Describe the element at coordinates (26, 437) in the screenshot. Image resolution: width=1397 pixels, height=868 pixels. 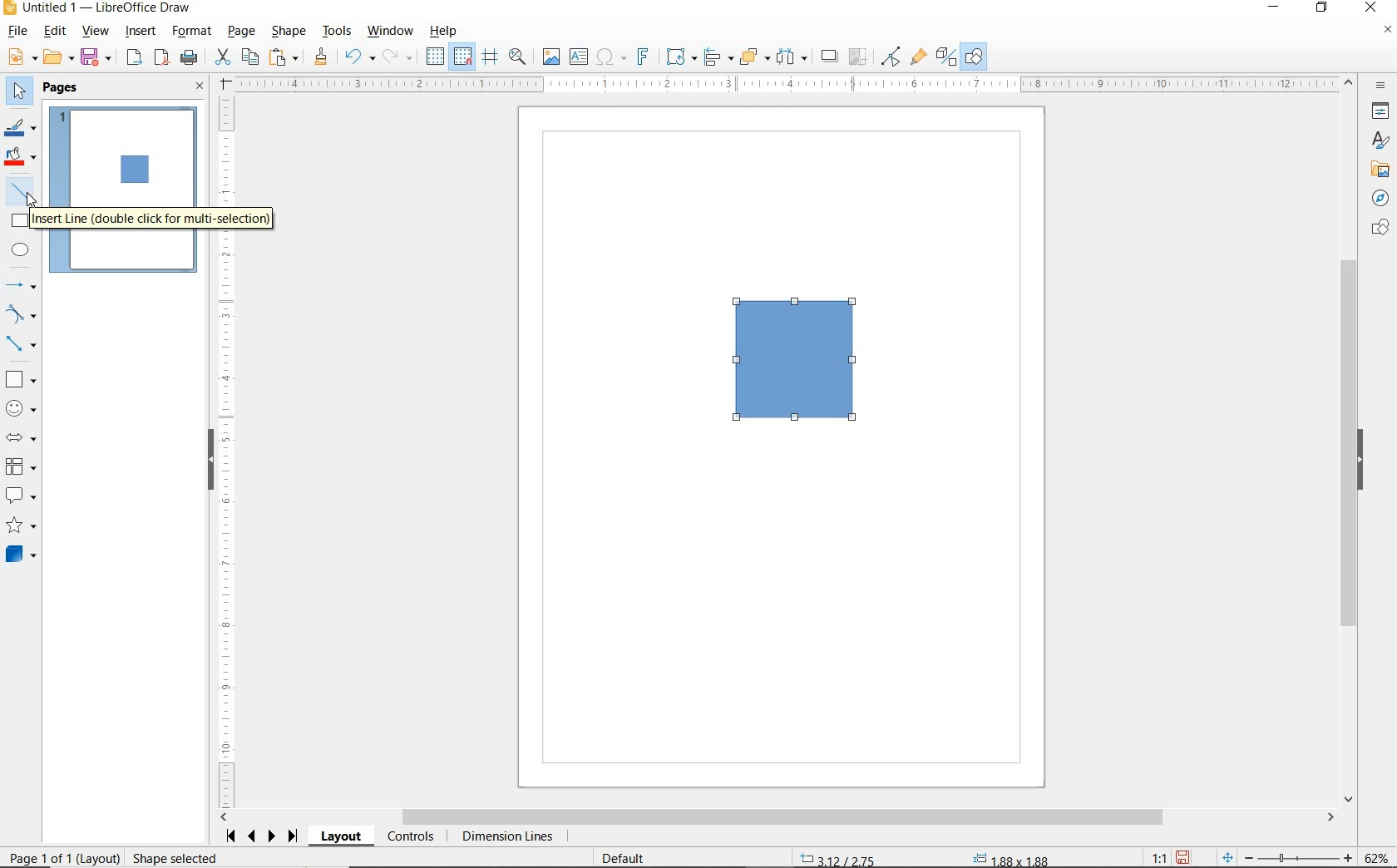
I see `BLOCK ARROWS` at that location.